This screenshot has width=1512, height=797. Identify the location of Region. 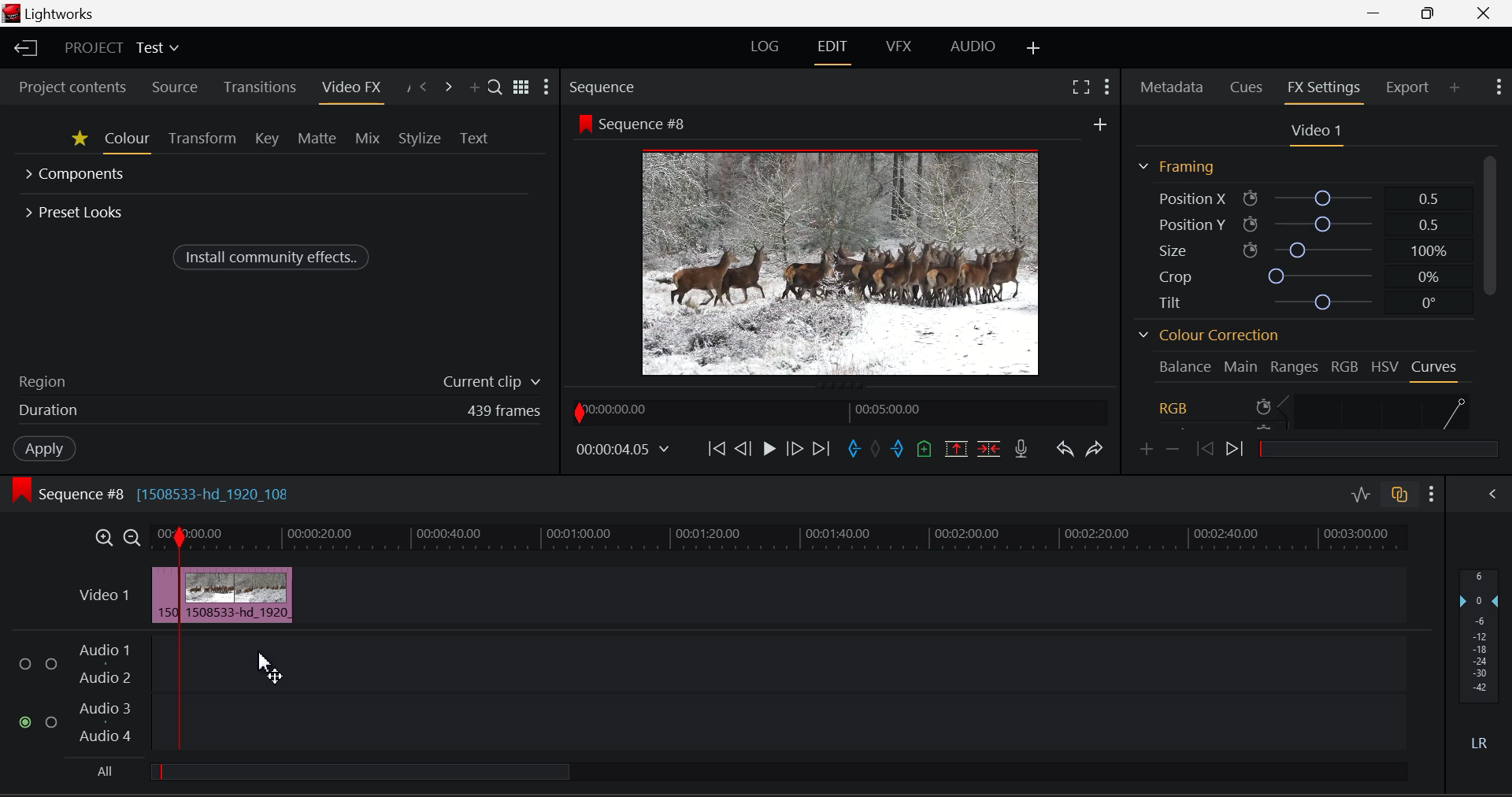
(278, 380).